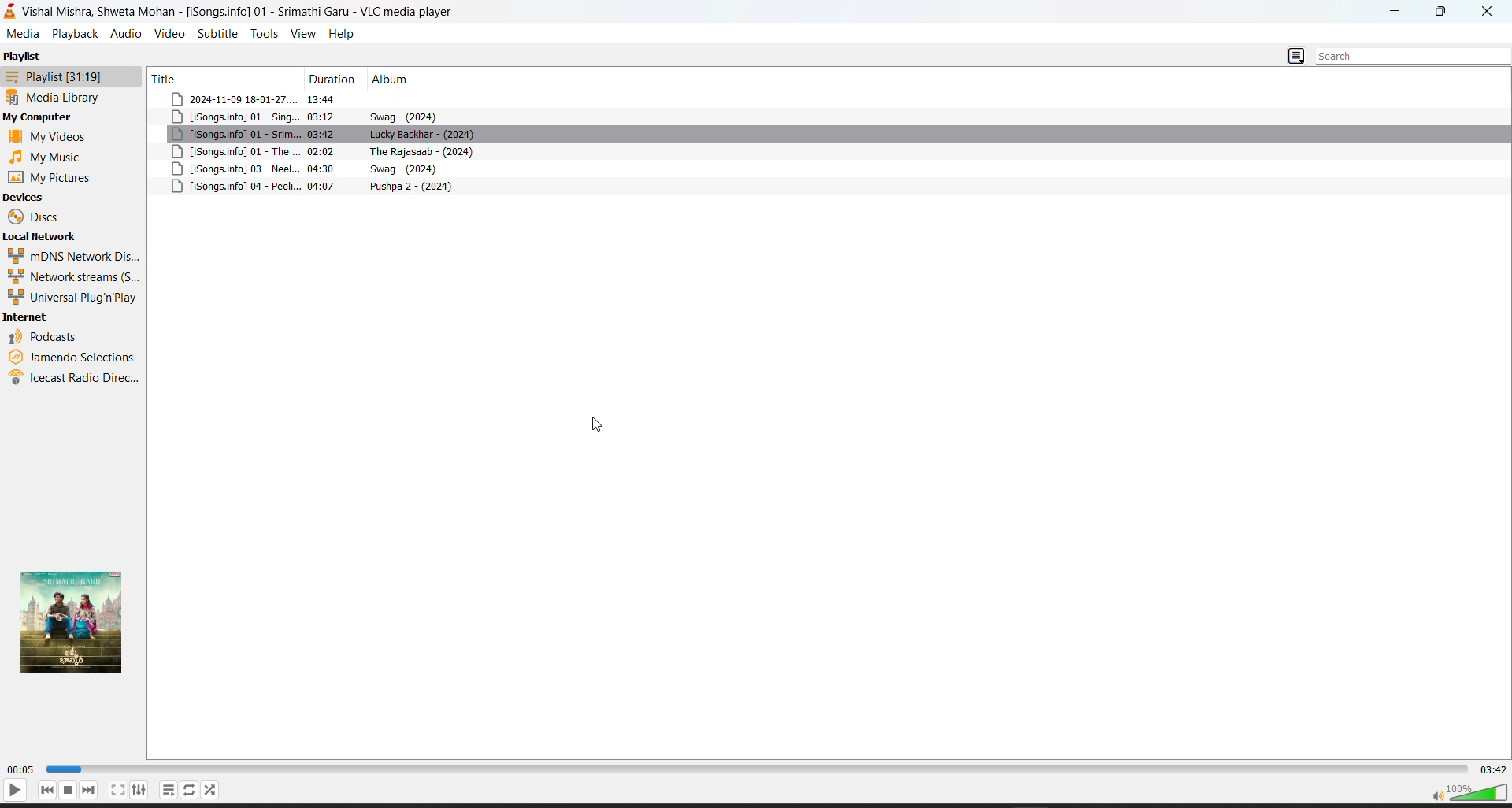 This screenshot has height=808, width=1512. I want to click on metadata, so click(831, 186).